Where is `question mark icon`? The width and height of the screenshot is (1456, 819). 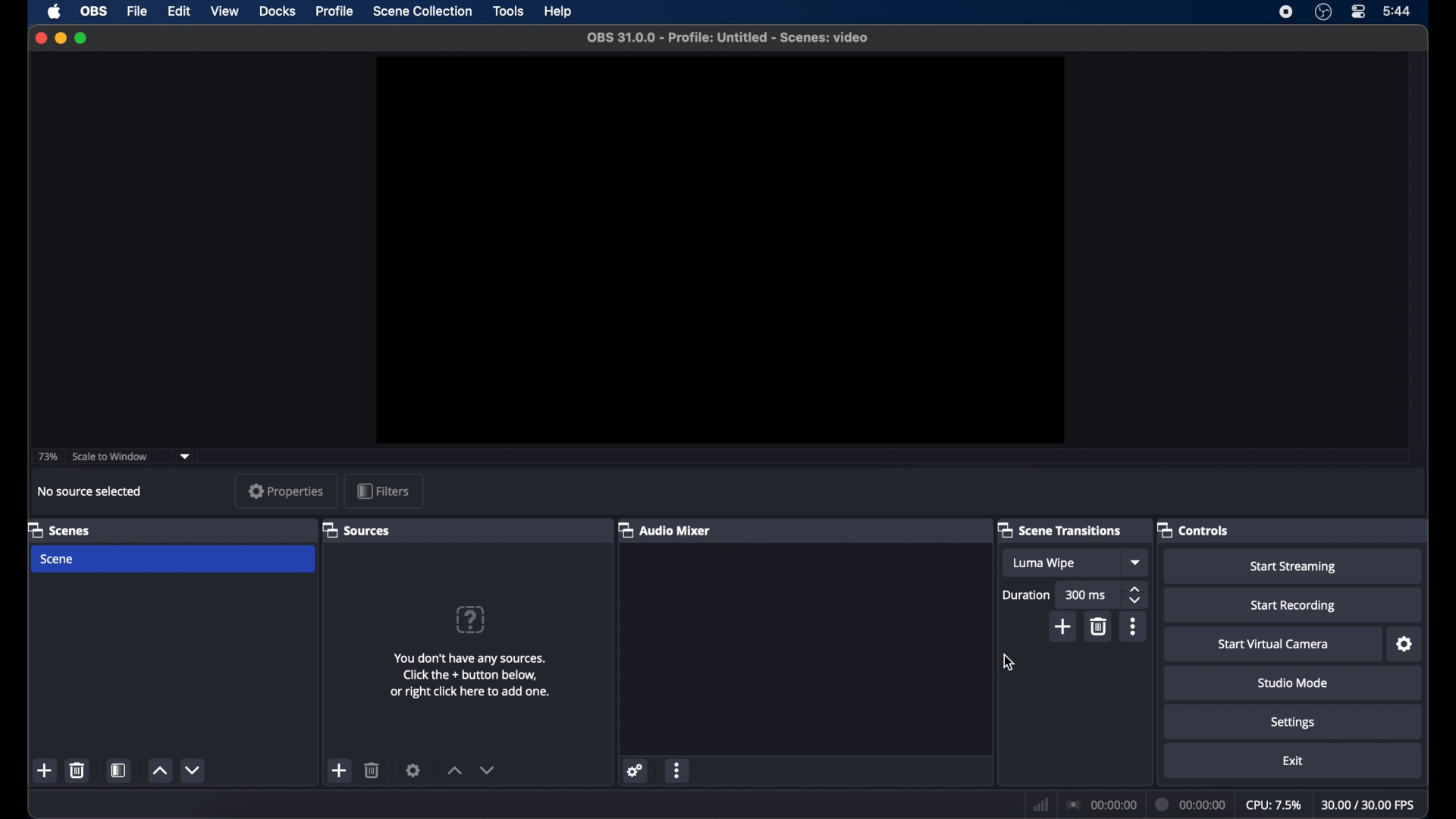
question mark icon is located at coordinates (469, 620).